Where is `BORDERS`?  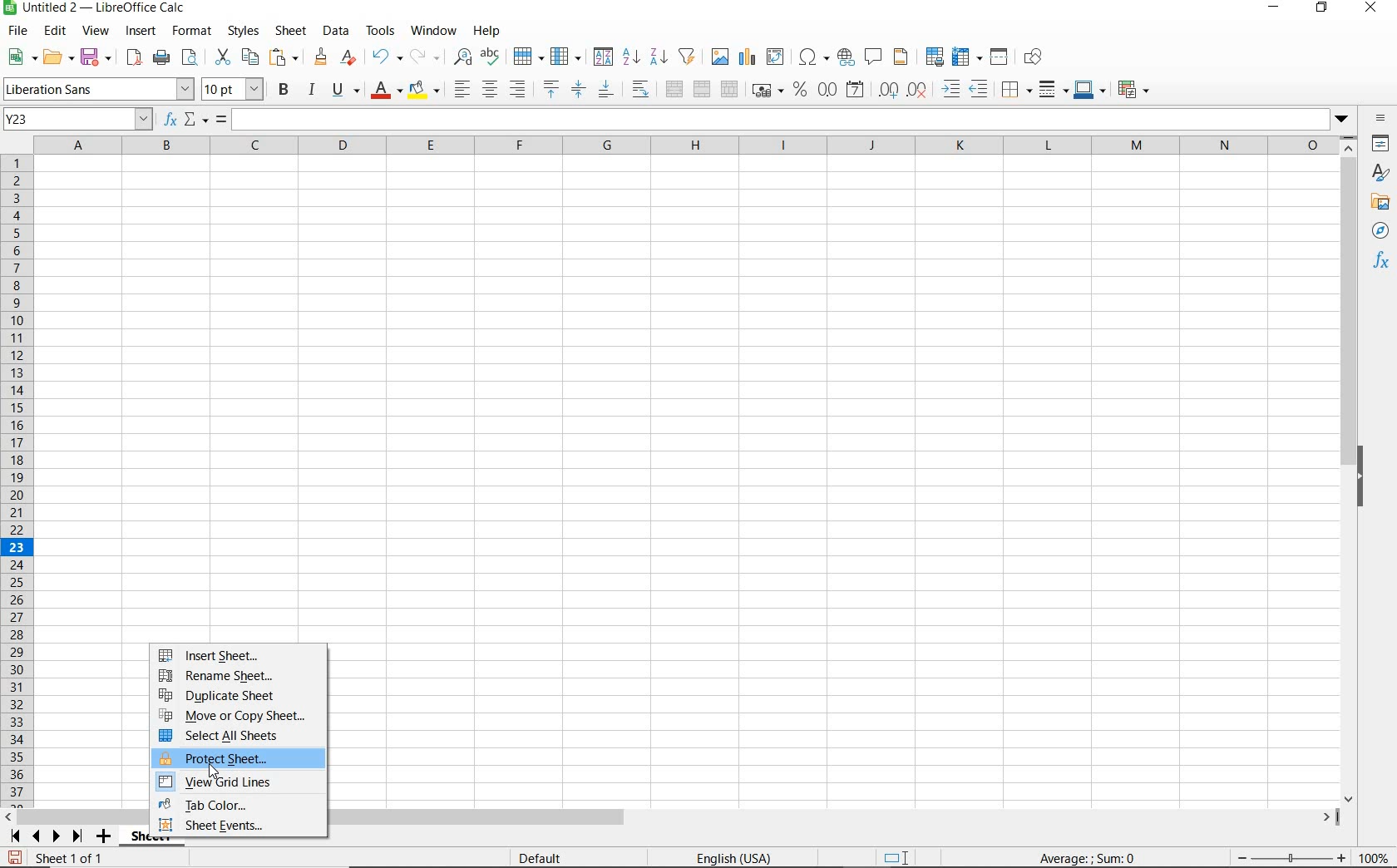 BORDERS is located at coordinates (1014, 91).